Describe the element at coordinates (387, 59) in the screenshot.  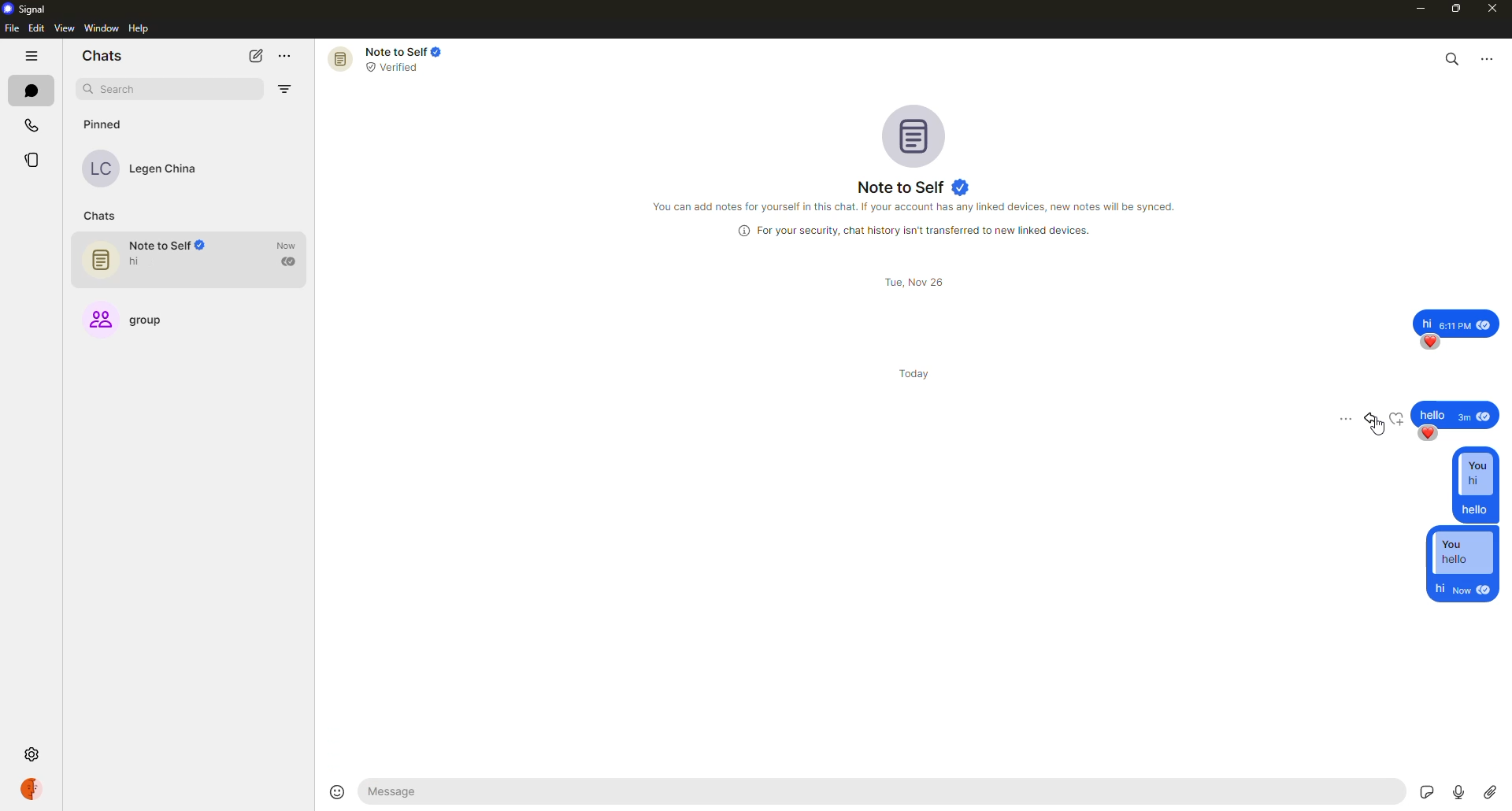
I see `note to self` at that location.